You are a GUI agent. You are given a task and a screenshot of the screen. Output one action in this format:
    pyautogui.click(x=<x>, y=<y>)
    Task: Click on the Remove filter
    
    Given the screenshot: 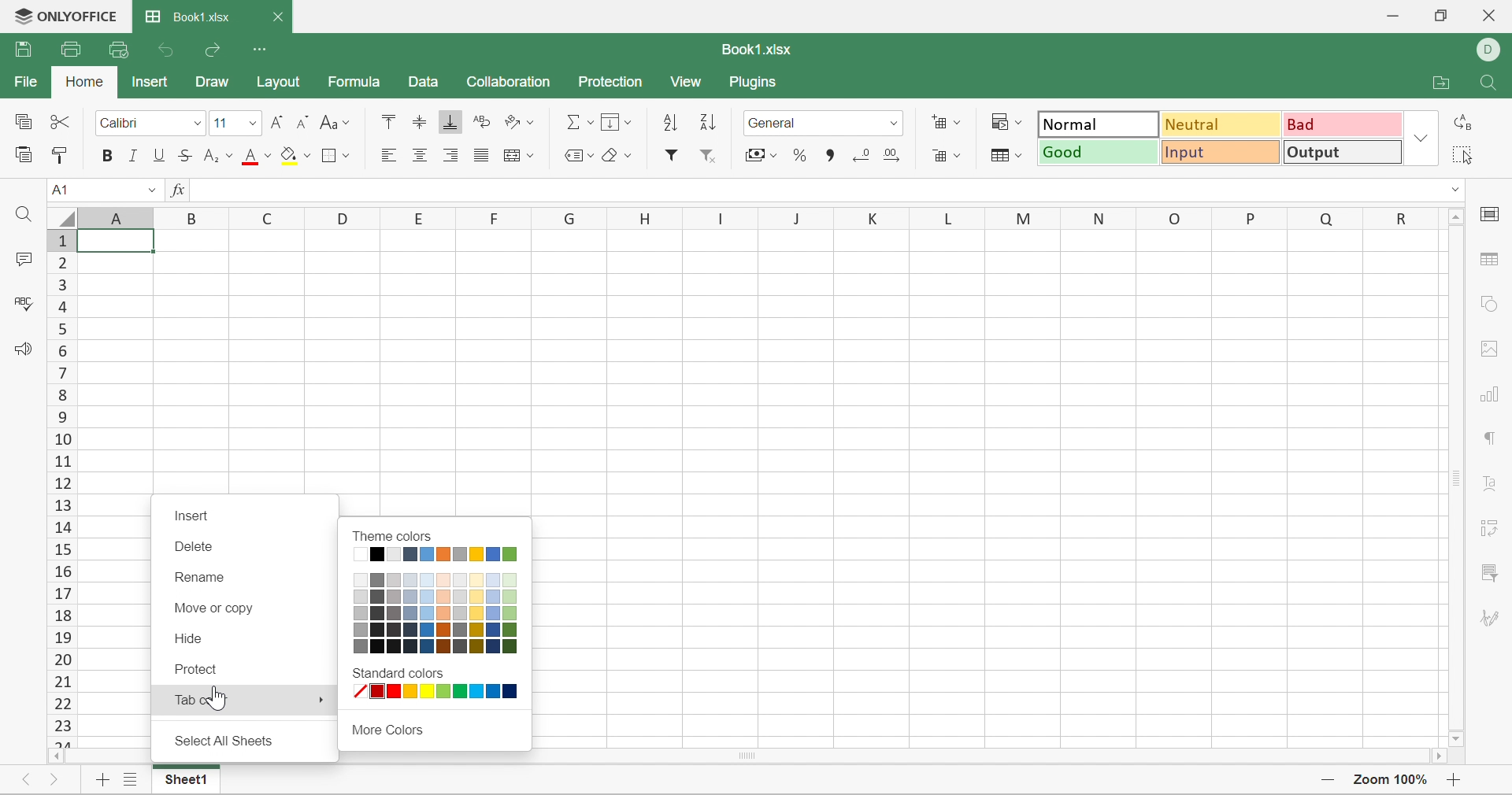 What is the action you would take?
    pyautogui.click(x=707, y=158)
    